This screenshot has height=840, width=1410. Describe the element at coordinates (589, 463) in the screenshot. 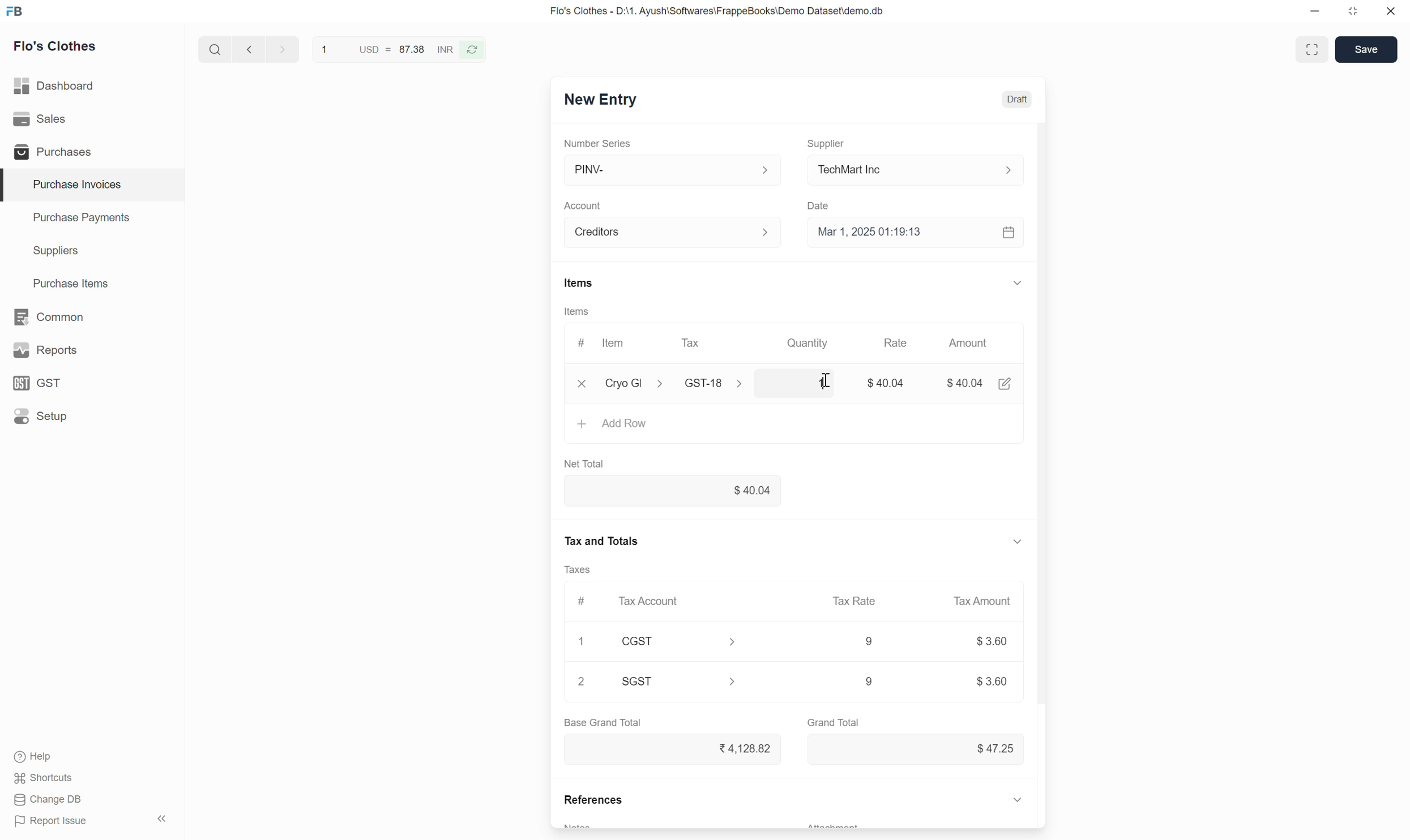

I see `Net Total` at that location.